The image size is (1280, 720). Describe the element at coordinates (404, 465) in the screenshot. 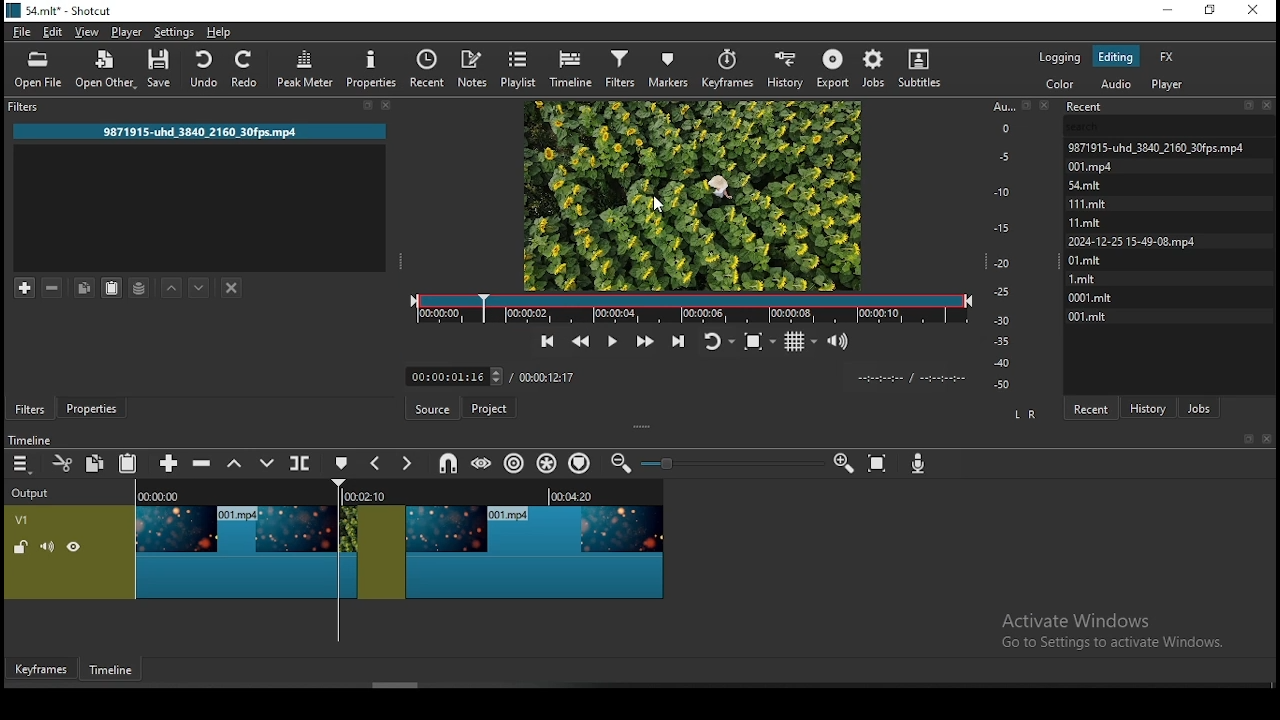

I see `next marker` at that location.